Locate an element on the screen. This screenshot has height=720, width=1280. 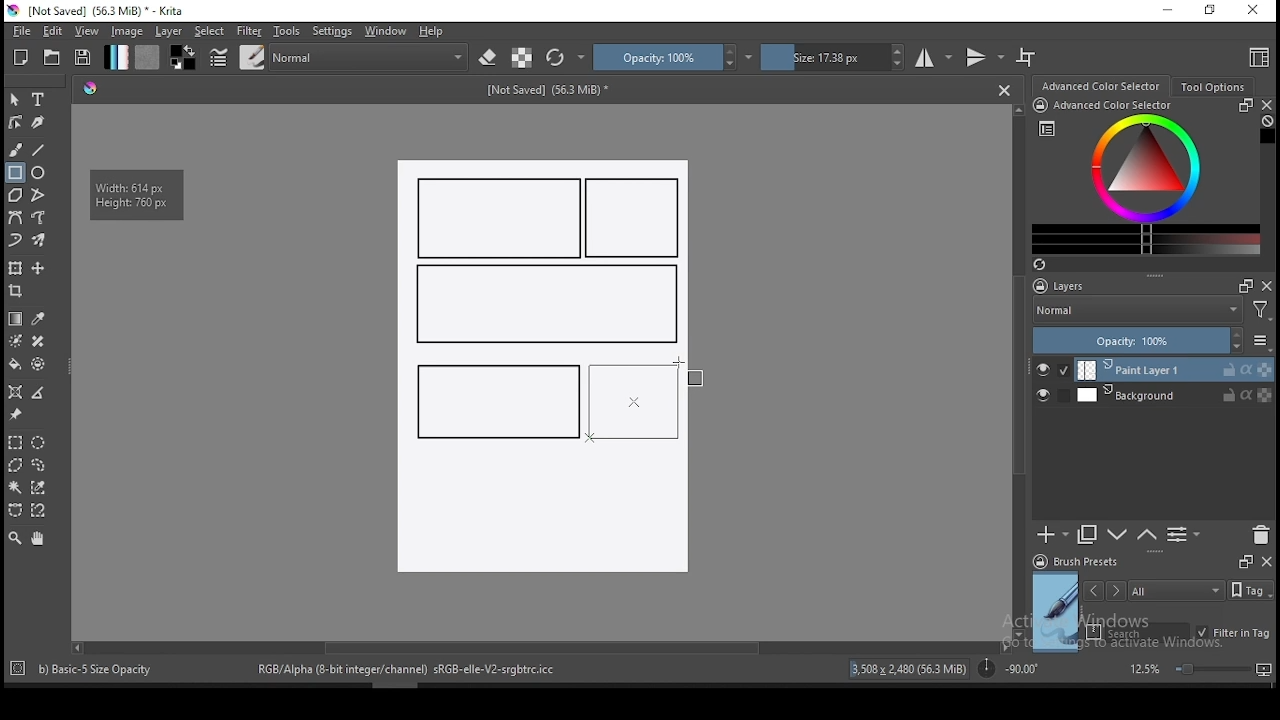
windows is located at coordinates (386, 31).